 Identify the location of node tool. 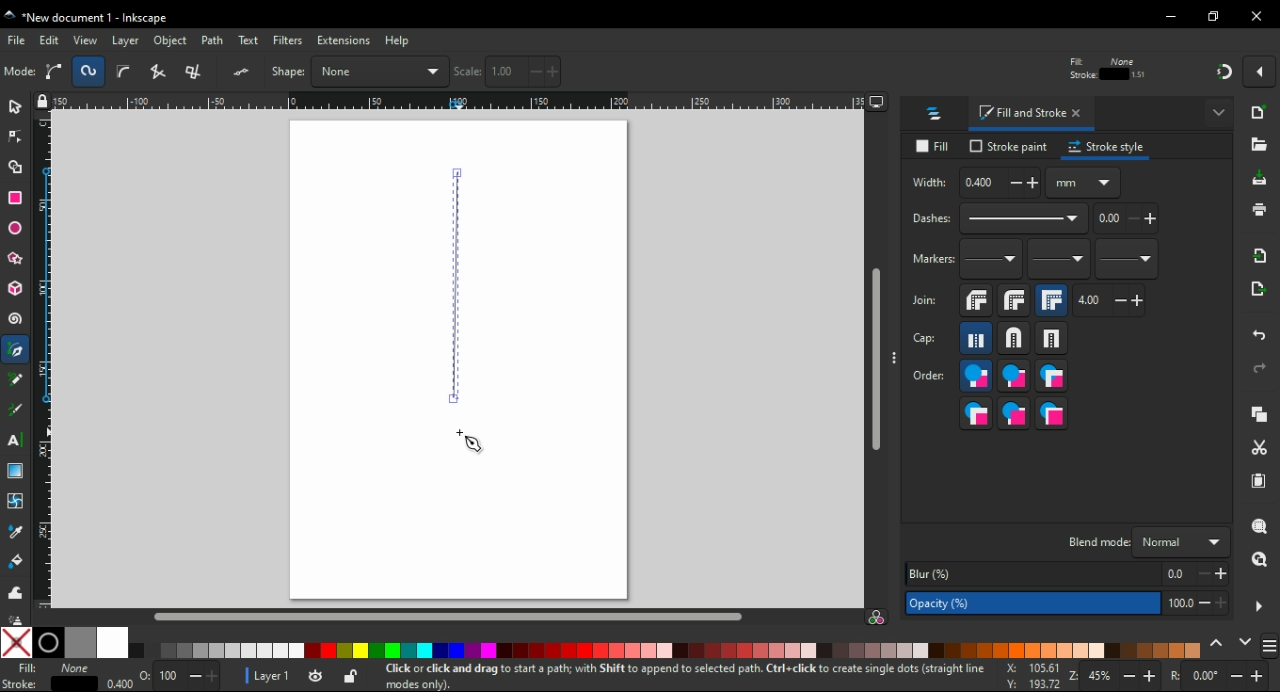
(16, 135).